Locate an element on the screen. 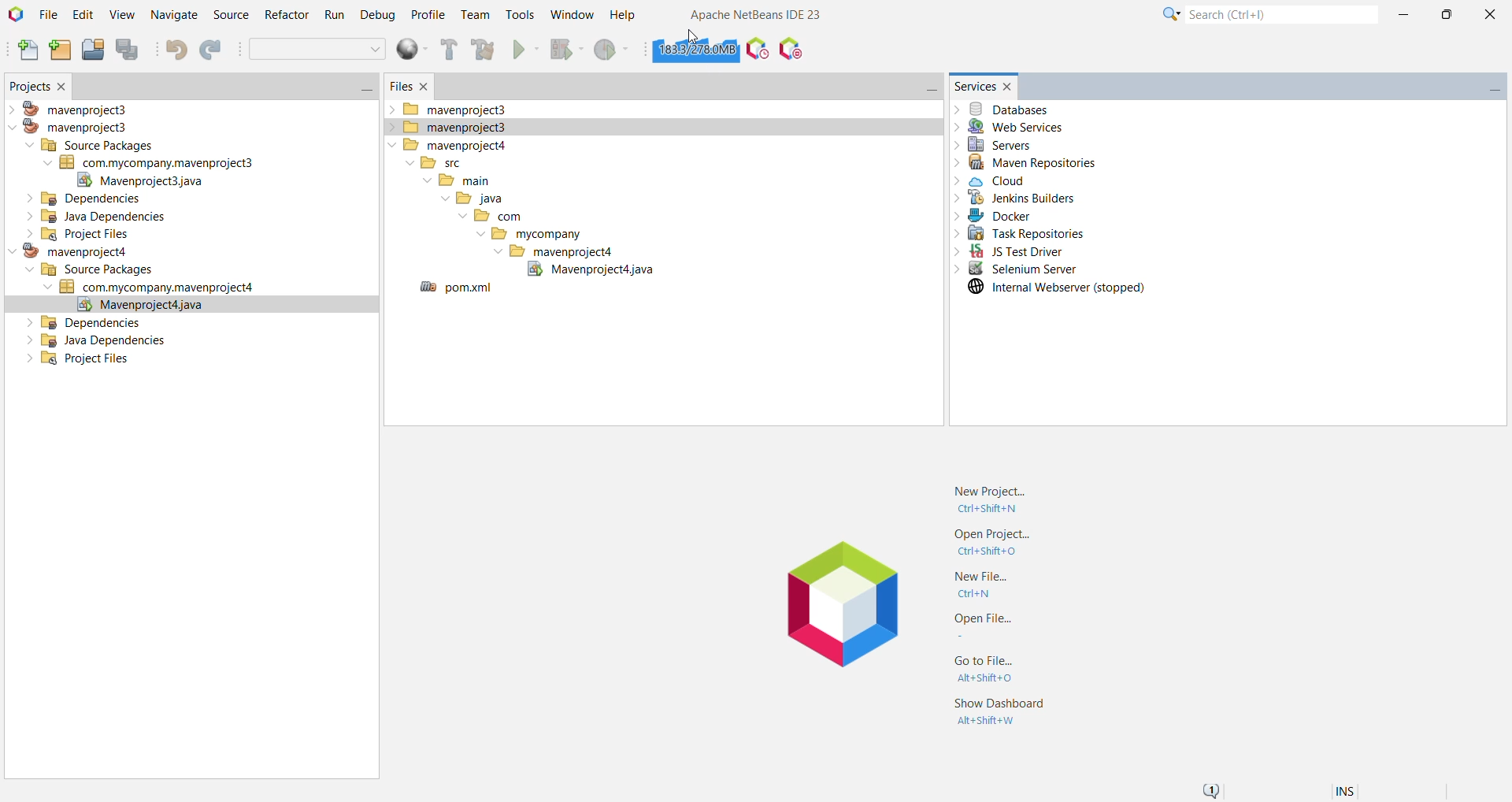  Jave Source Package (com.mycompany.mavenproject4) is located at coordinates (155, 291).